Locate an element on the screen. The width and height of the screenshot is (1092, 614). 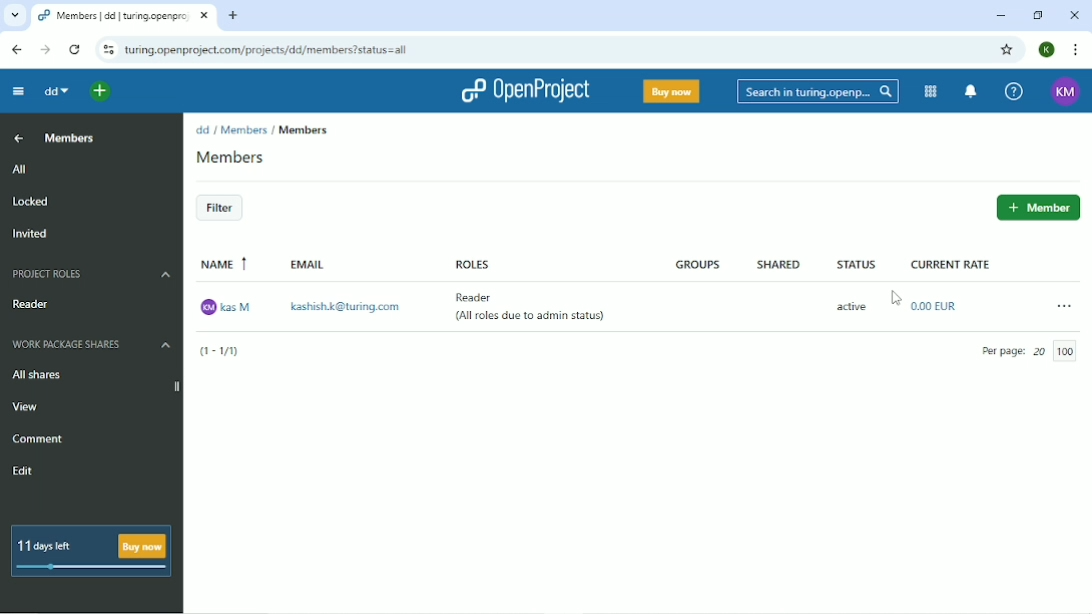
Locked is located at coordinates (31, 202).